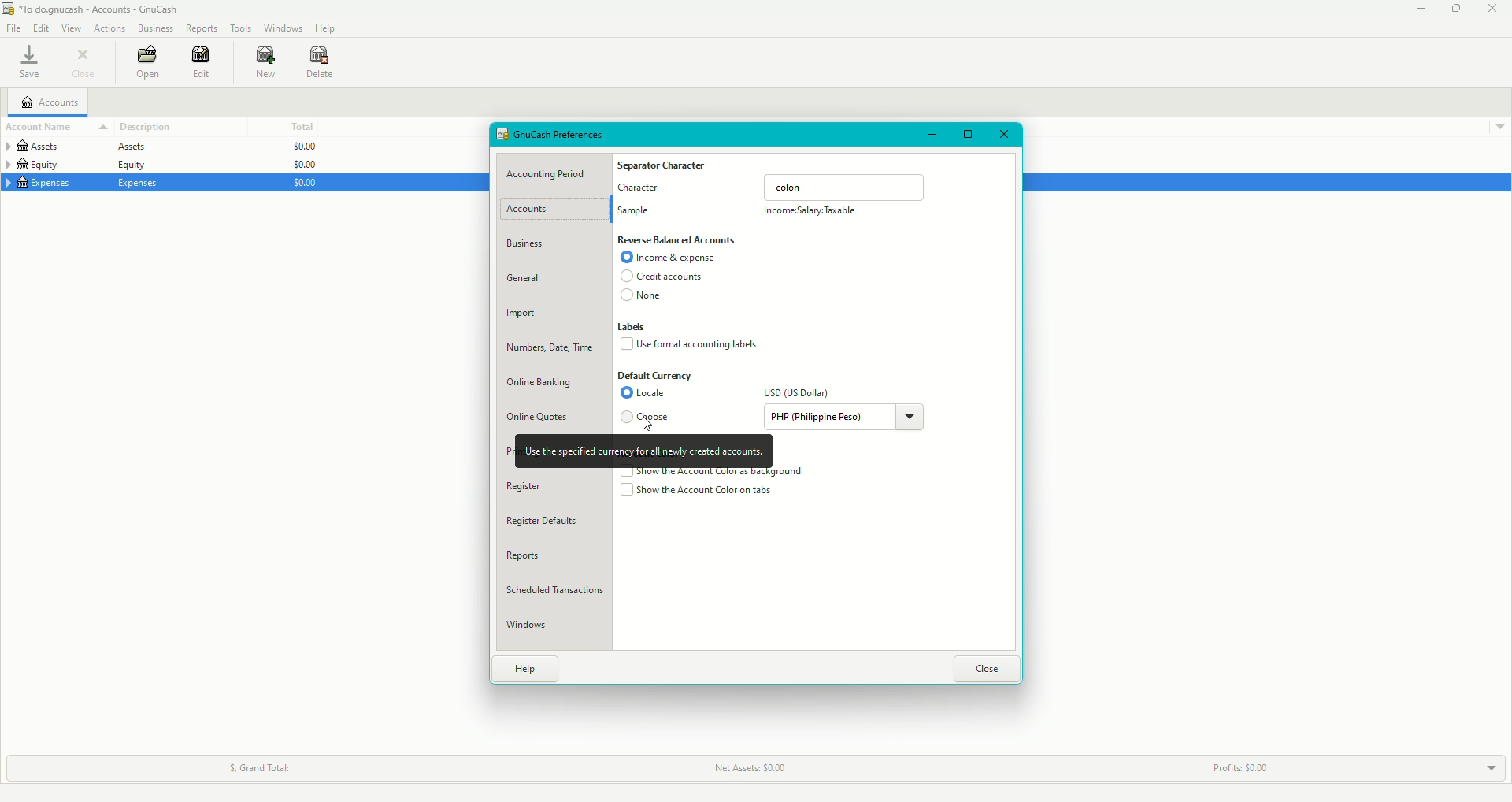 This screenshot has height=802, width=1512. I want to click on Delete, so click(321, 65).